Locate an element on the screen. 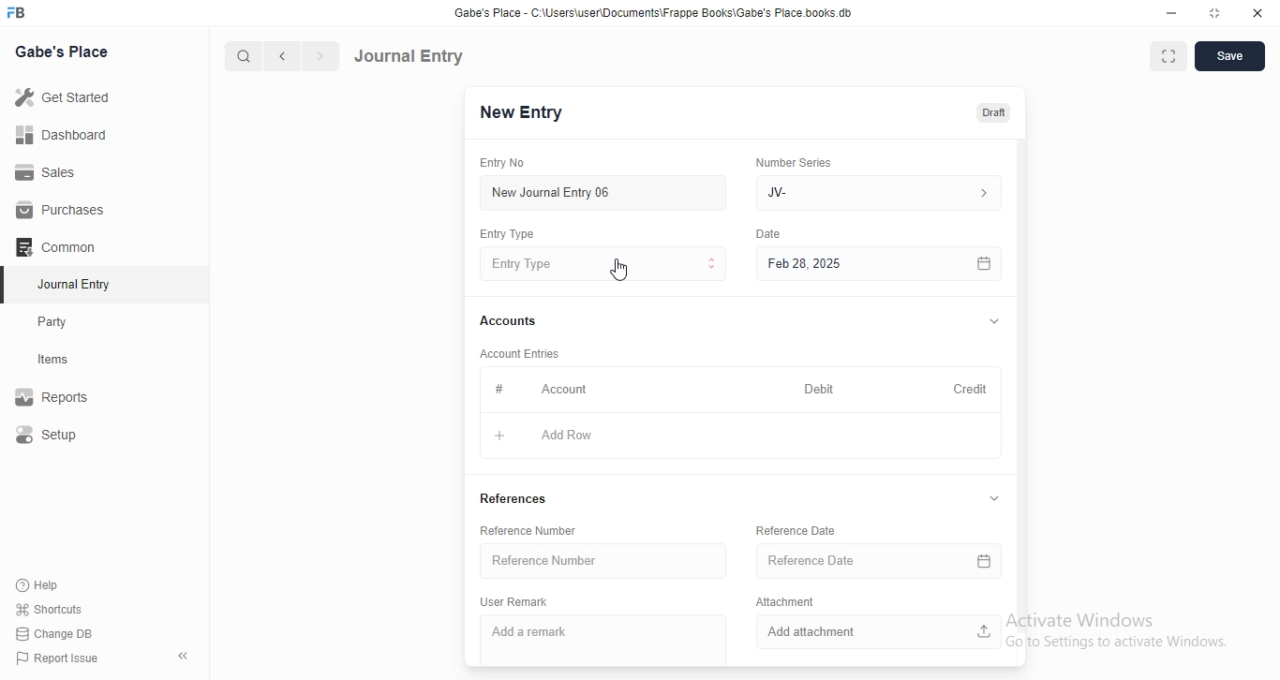 The height and width of the screenshot is (680, 1280). Reference Number is located at coordinates (543, 531).